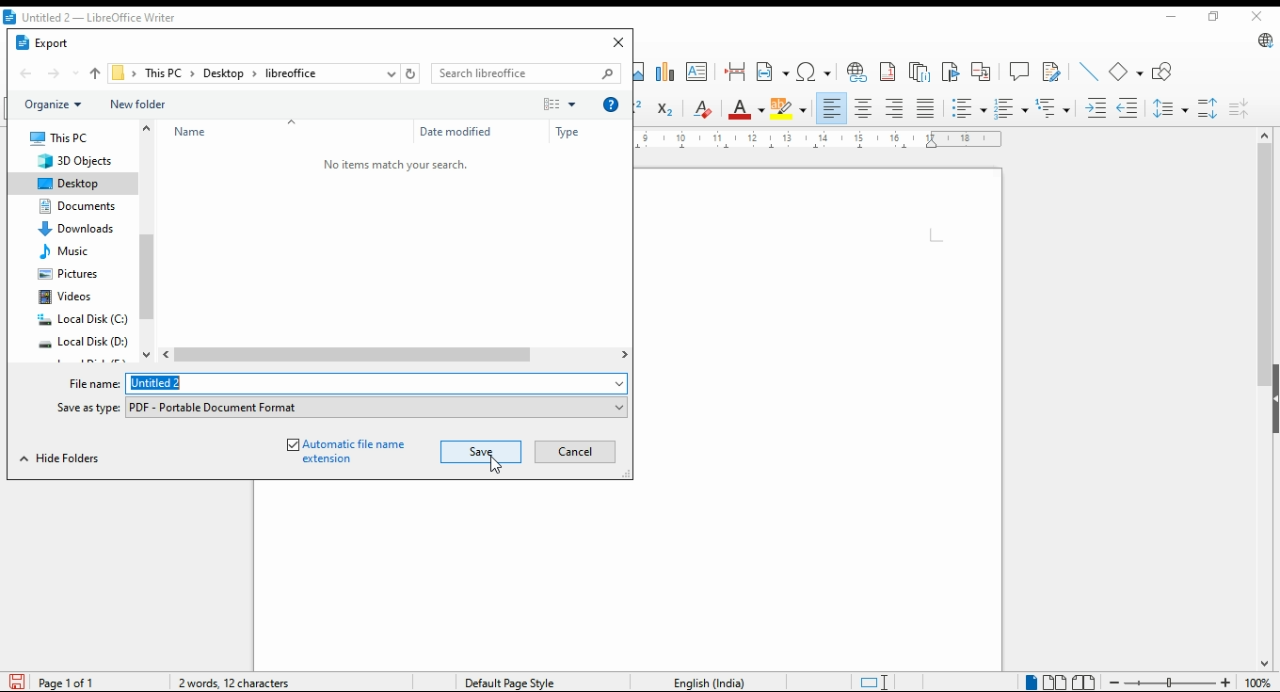 The height and width of the screenshot is (692, 1280). What do you see at coordinates (497, 464) in the screenshot?
I see `cursor` at bounding box center [497, 464].